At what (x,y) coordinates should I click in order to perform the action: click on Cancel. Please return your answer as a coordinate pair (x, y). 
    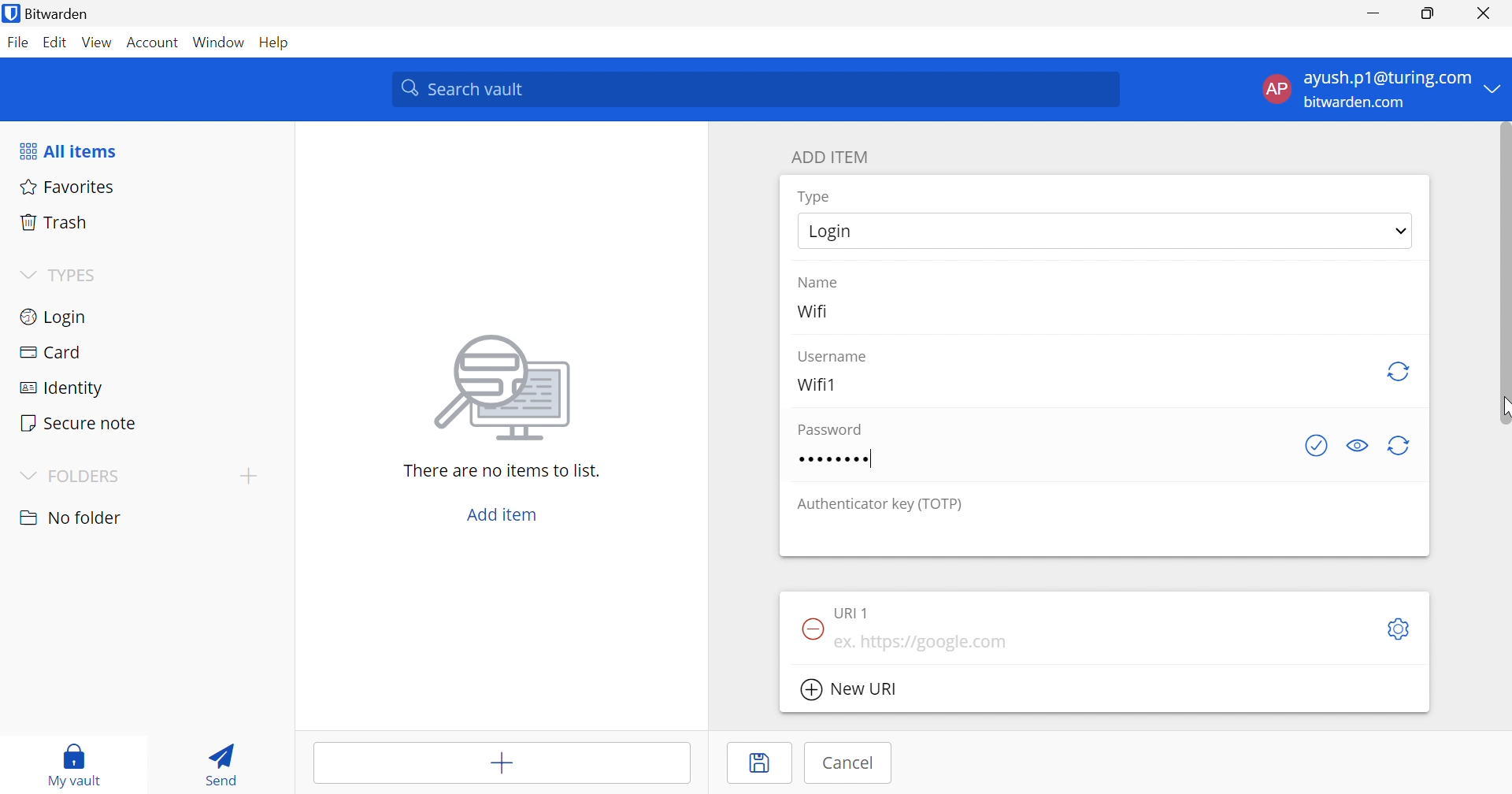
    Looking at the image, I should click on (850, 762).